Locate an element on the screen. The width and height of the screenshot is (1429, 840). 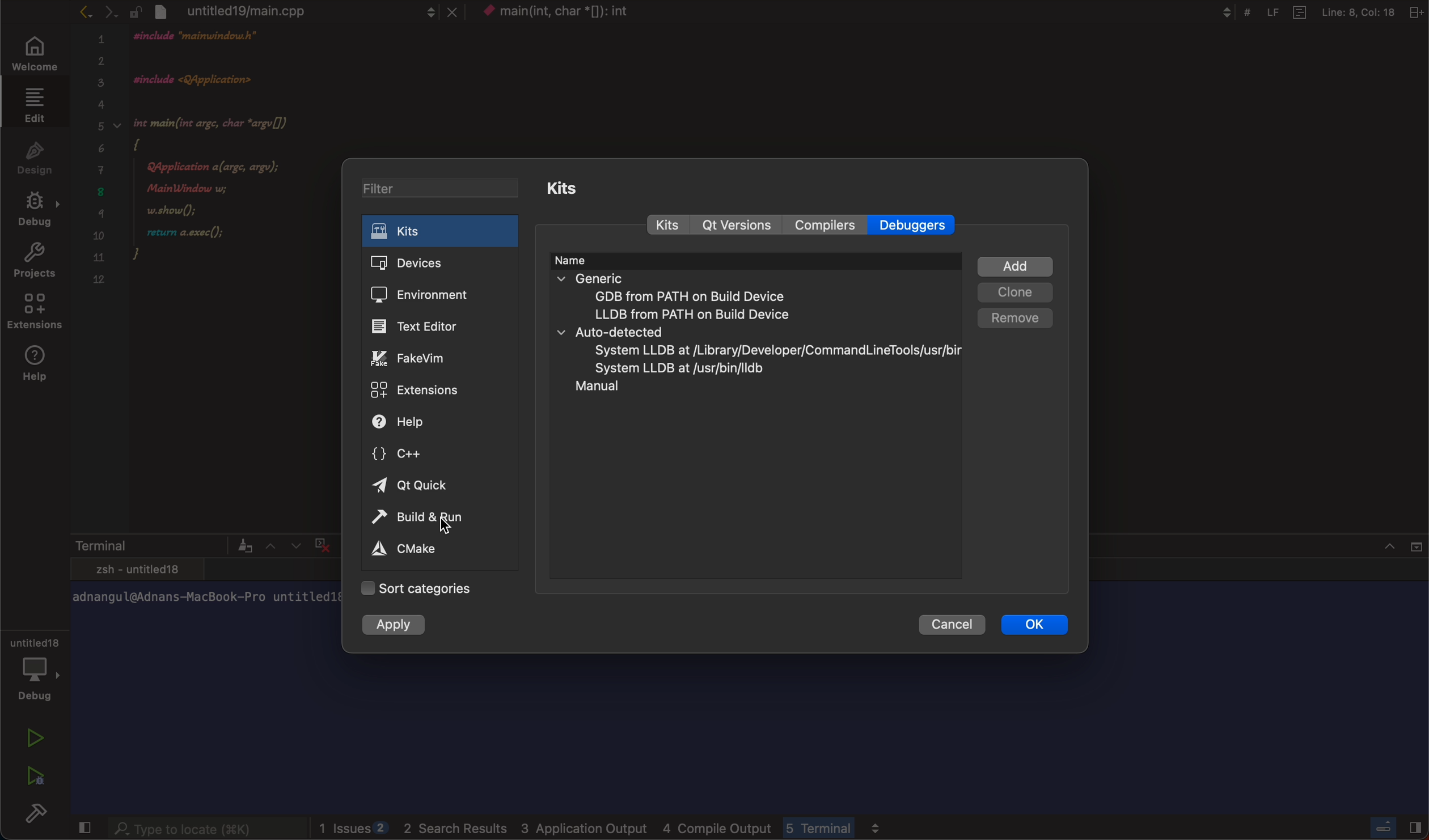
add is located at coordinates (1020, 263).